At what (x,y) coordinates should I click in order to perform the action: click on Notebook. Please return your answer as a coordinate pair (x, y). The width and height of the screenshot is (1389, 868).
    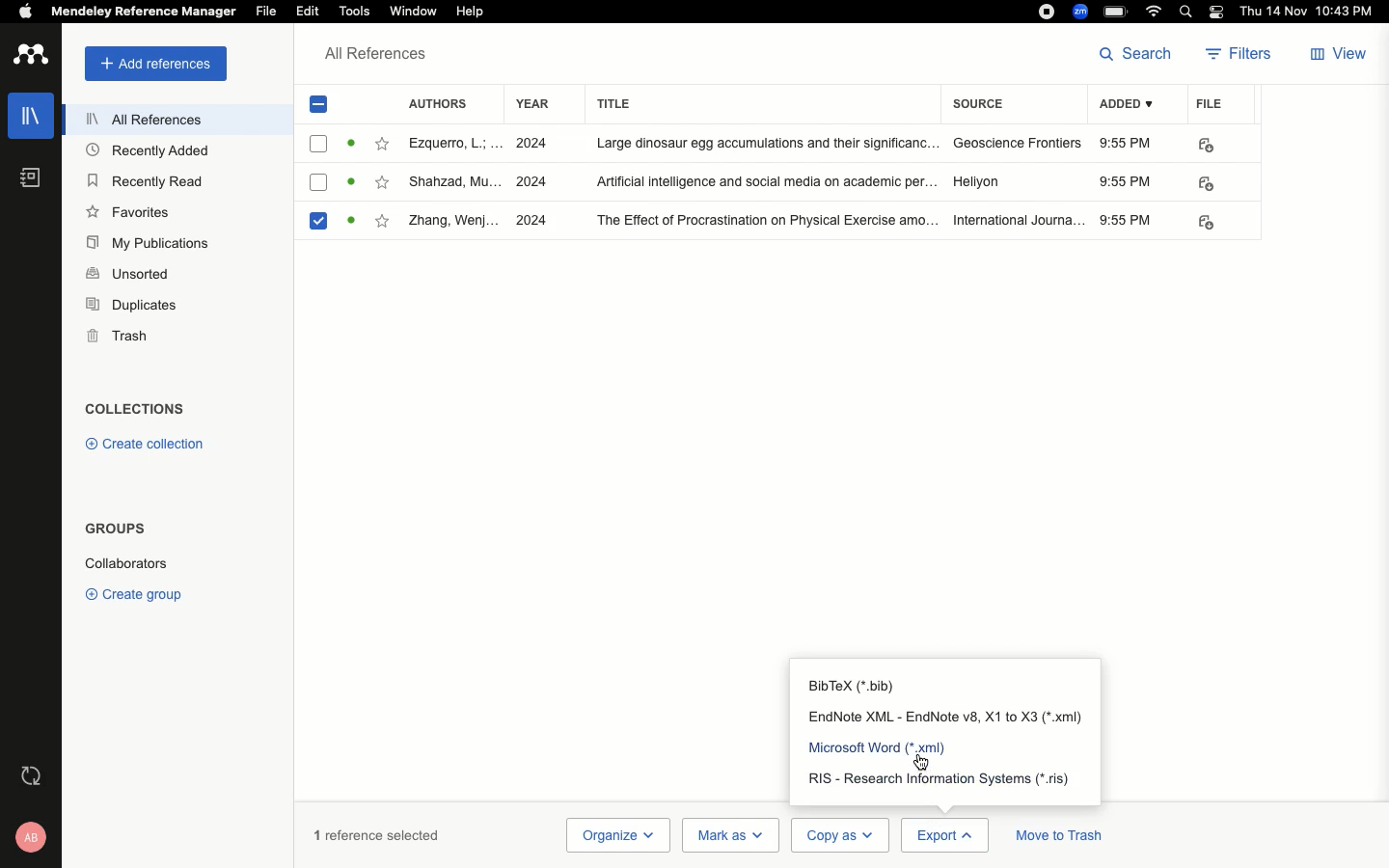
    Looking at the image, I should click on (29, 177).